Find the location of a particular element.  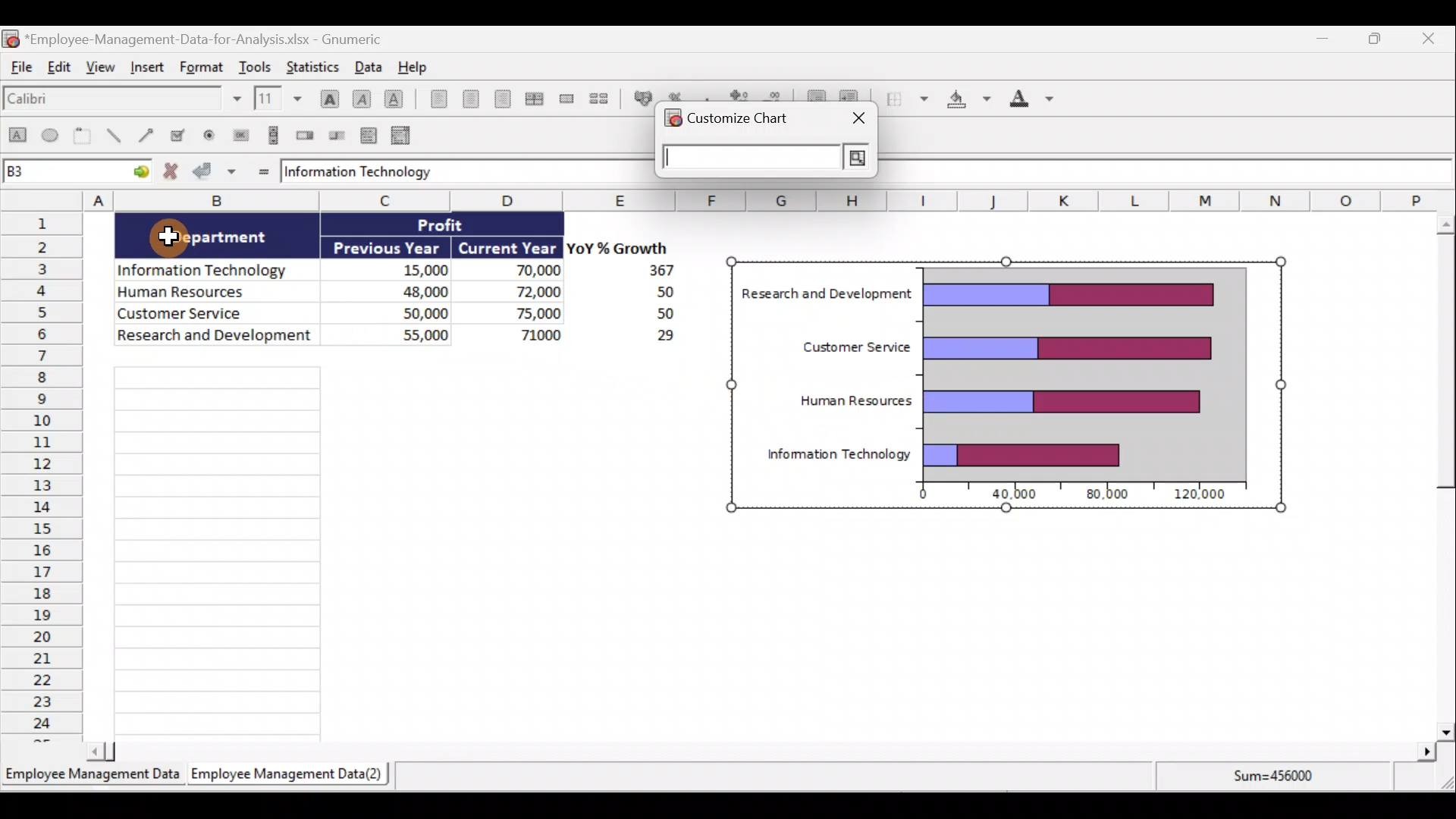

cell reference input is located at coordinates (752, 158).